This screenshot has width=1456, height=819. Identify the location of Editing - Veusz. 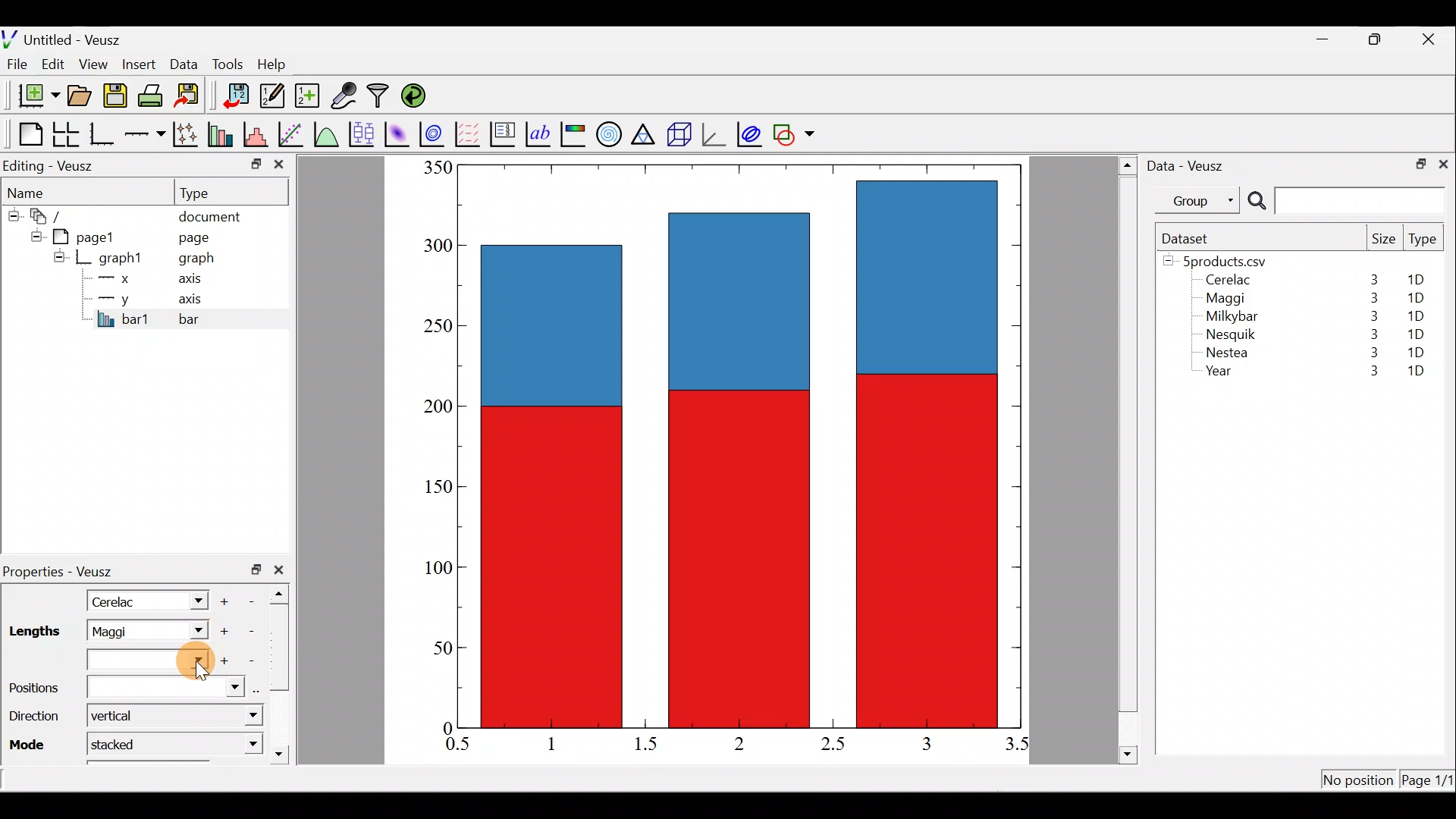
(52, 165).